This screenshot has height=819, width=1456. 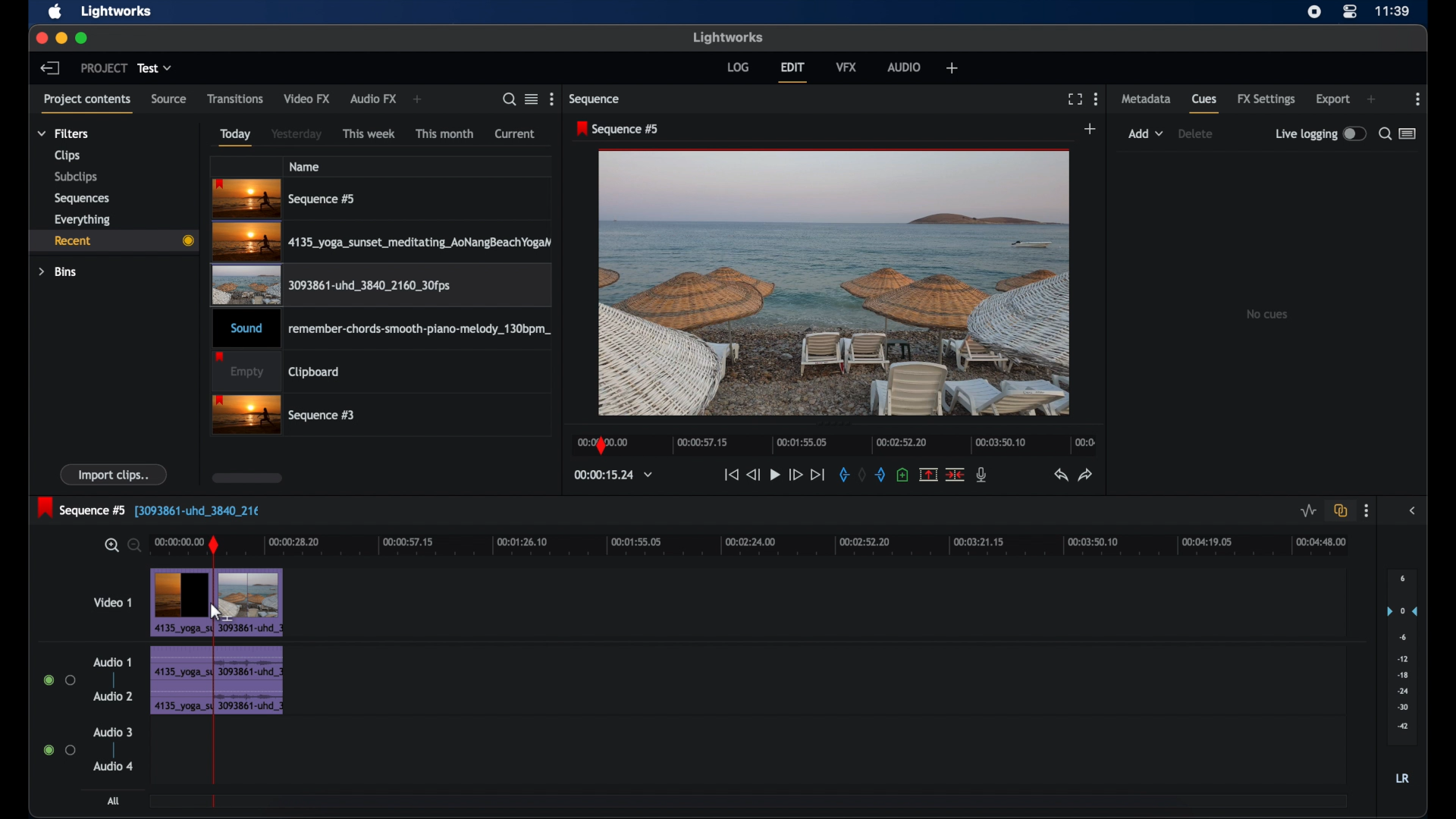 I want to click on sequences, so click(x=81, y=199).